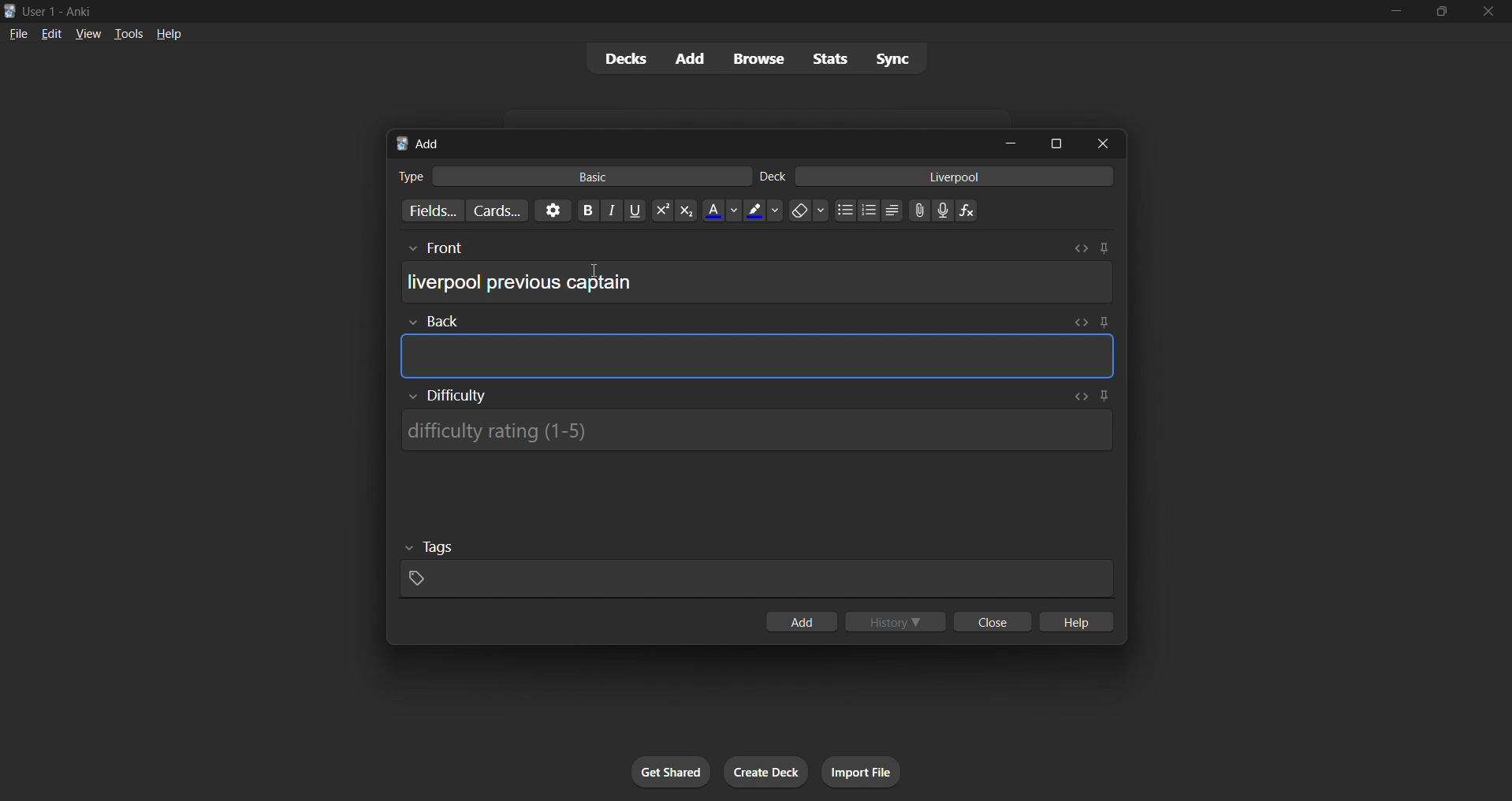  What do you see at coordinates (672, 773) in the screenshot?
I see `get shared` at bounding box center [672, 773].